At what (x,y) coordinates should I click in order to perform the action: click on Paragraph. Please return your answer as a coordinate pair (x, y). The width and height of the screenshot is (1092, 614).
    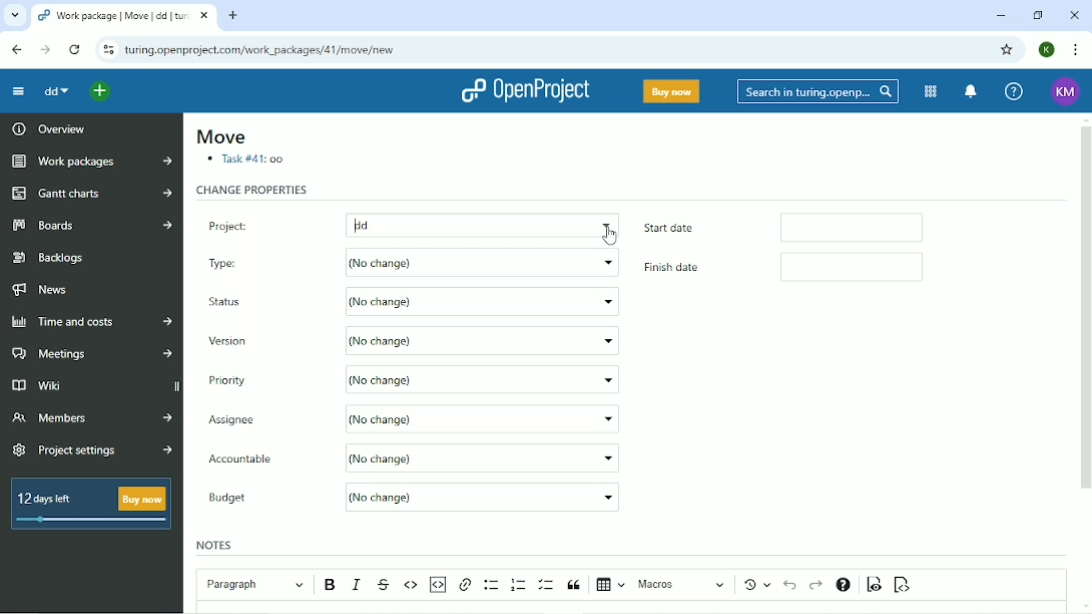
    Looking at the image, I should click on (254, 582).